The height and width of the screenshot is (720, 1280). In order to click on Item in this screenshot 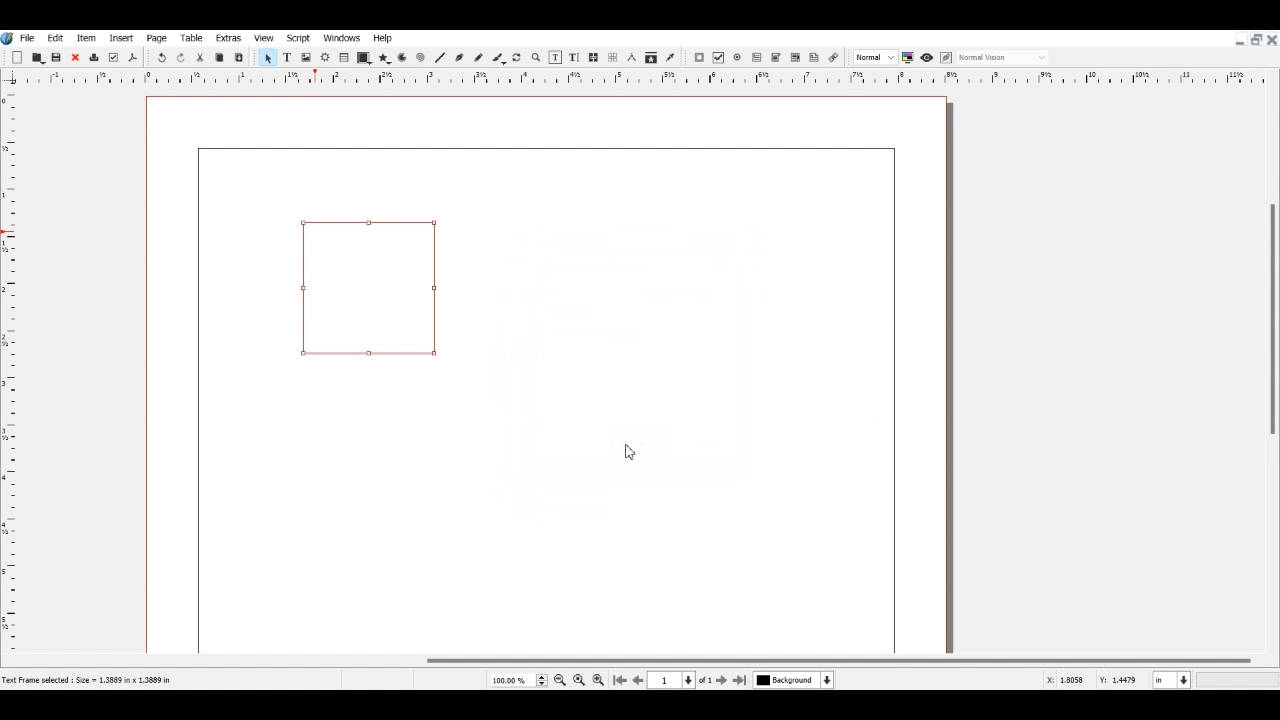, I will do `click(84, 38)`.